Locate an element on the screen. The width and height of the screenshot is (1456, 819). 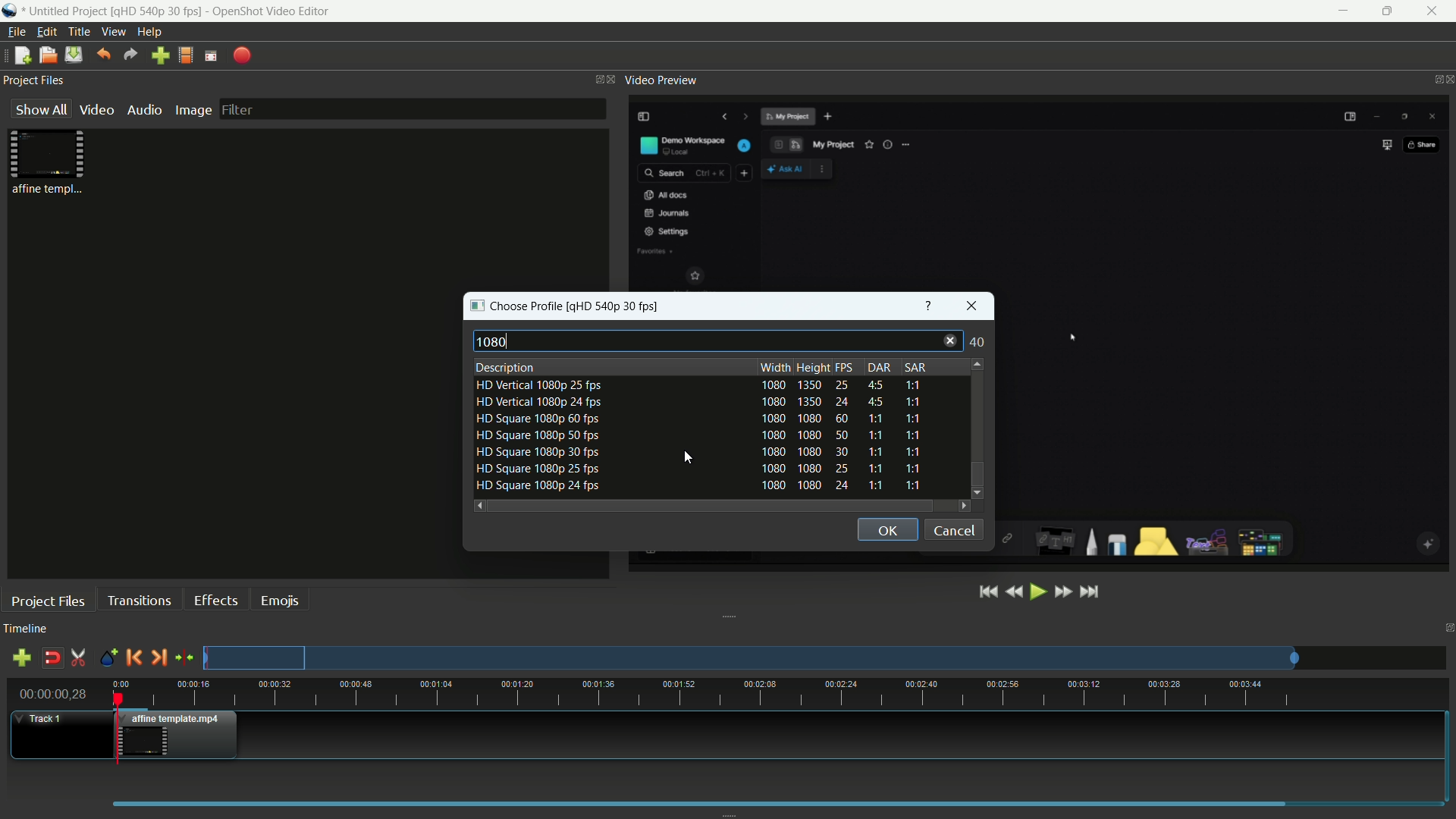
video in timeline is located at coordinates (180, 735).